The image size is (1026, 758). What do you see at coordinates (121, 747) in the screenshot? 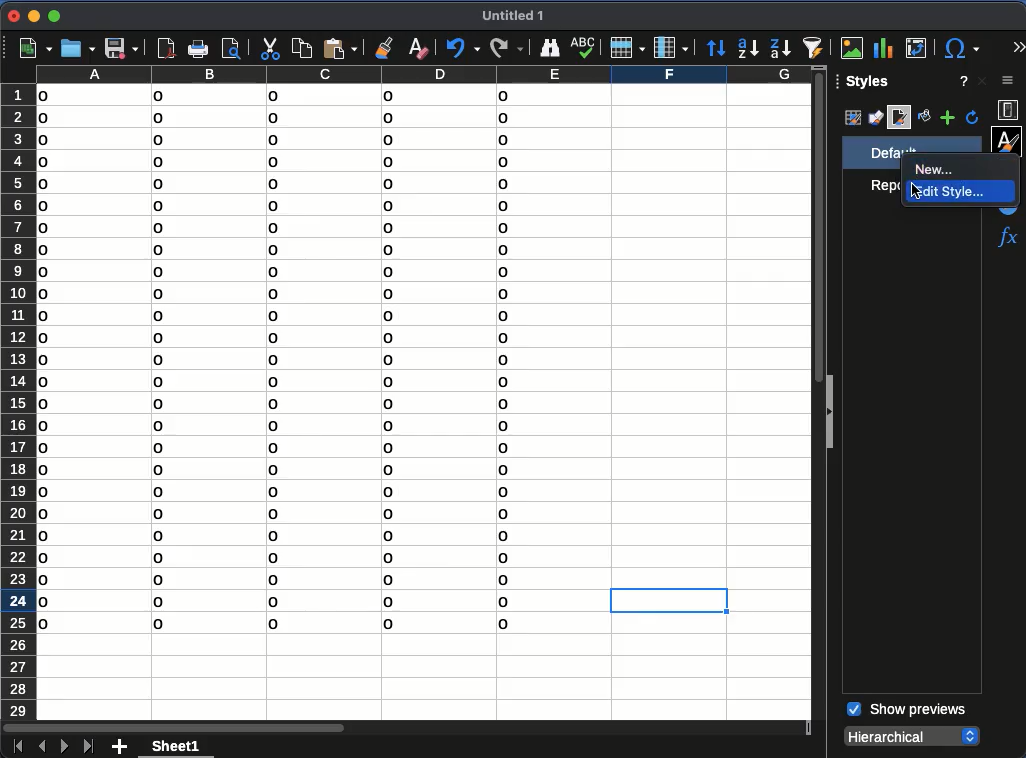
I see `add` at bounding box center [121, 747].